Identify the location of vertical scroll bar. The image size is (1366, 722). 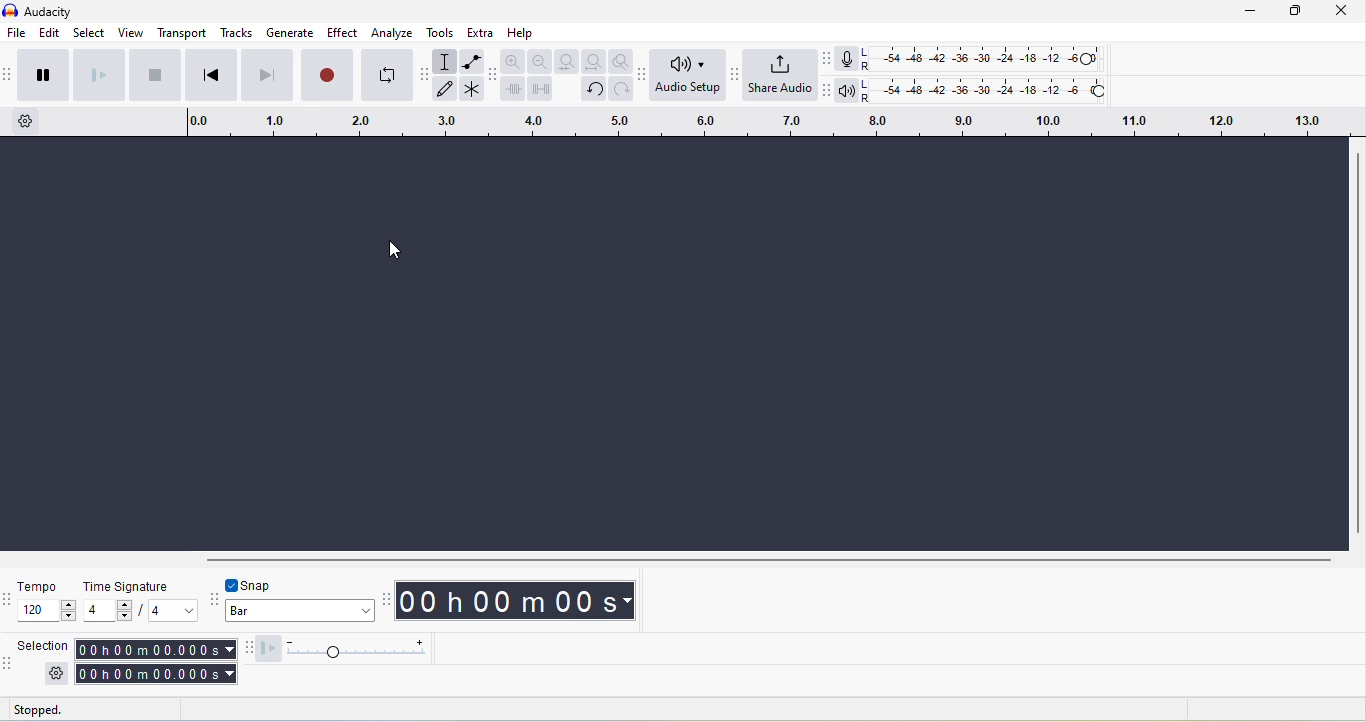
(1356, 342).